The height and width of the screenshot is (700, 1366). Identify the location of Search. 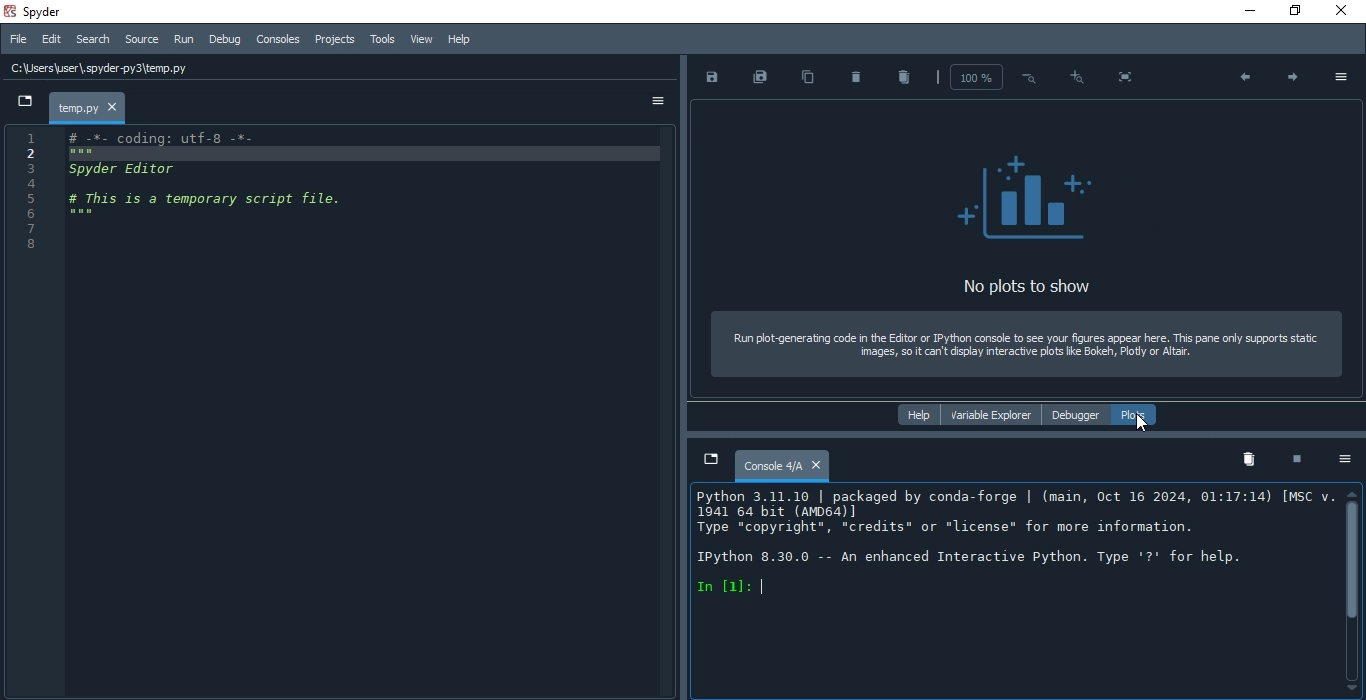
(93, 39).